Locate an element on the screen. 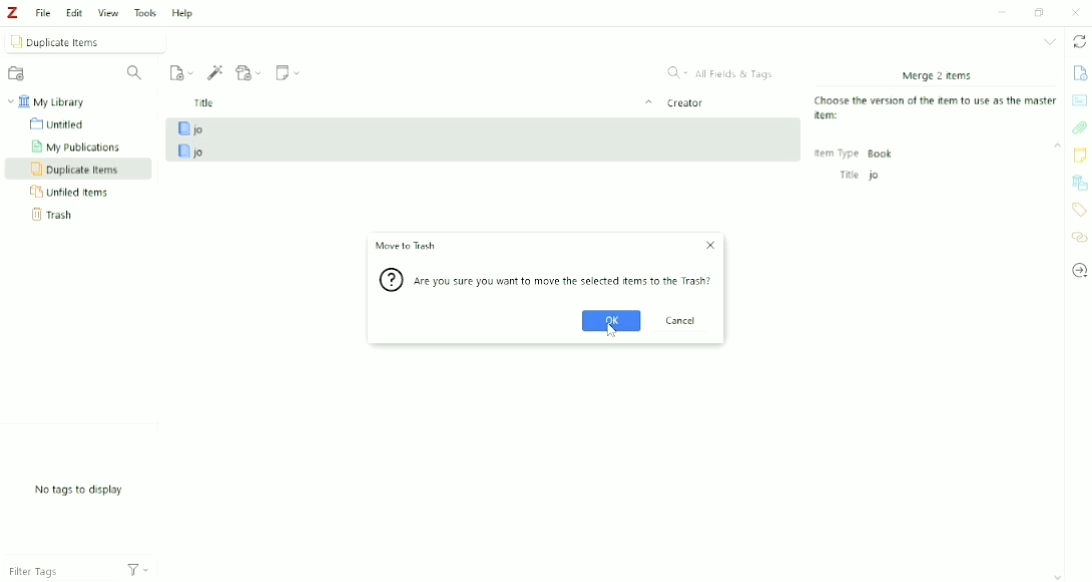 The height and width of the screenshot is (582, 1092). Tags is located at coordinates (1078, 210).